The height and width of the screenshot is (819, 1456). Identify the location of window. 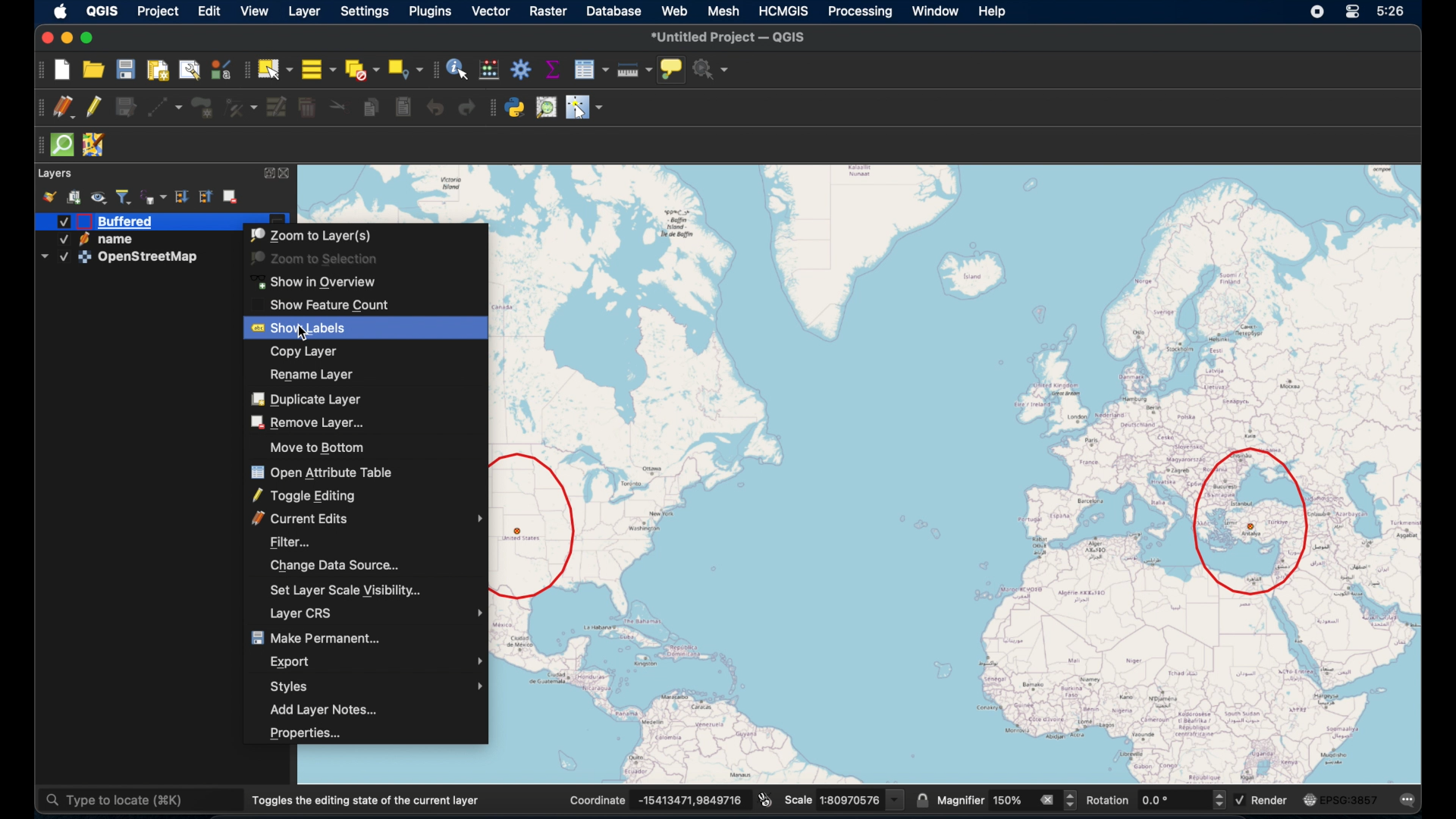
(934, 11).